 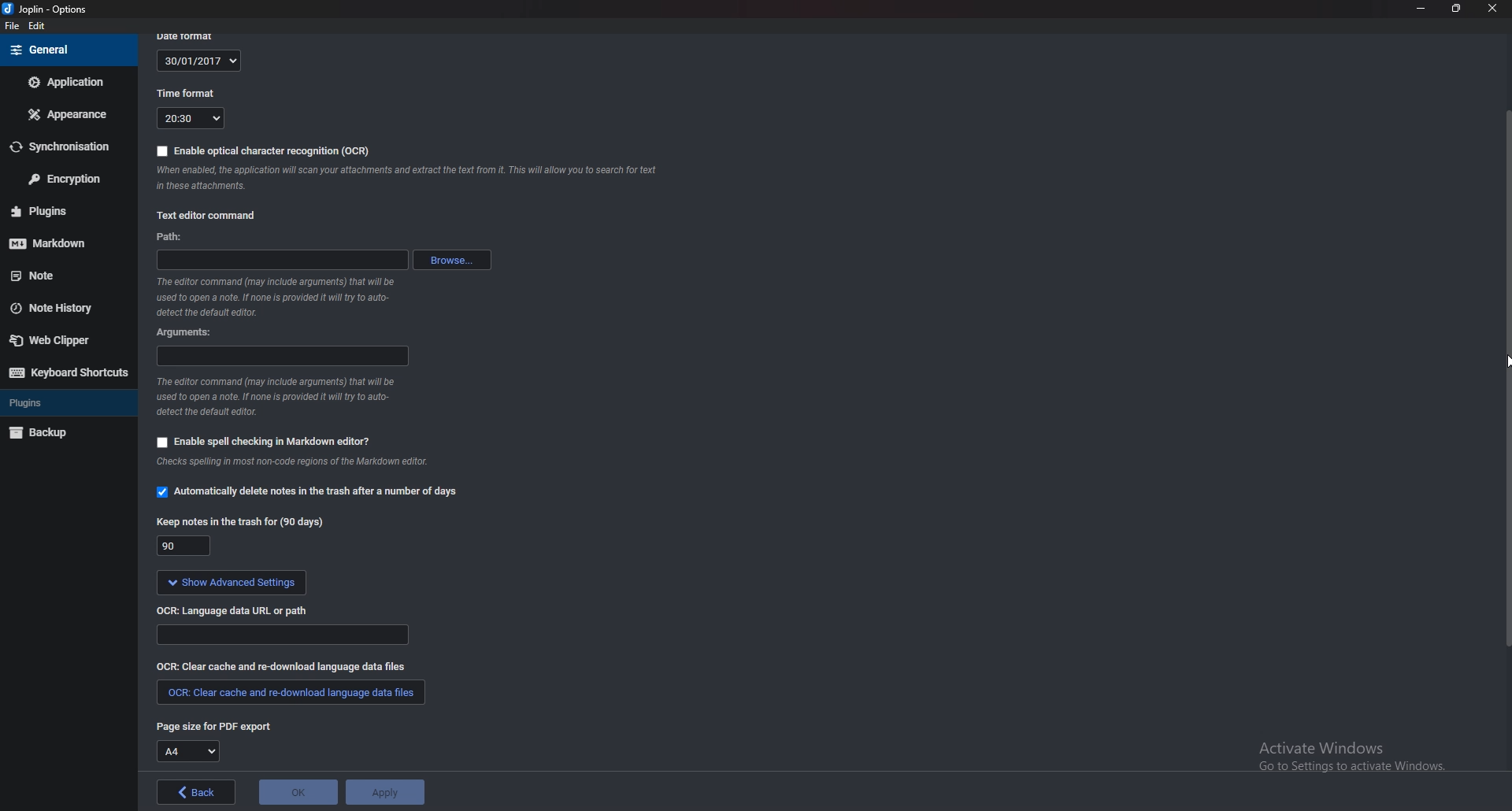 What do you see at coordinates (62, 146) in the screenshot?
I see `Synchronization` at bounding box center [62, 146].